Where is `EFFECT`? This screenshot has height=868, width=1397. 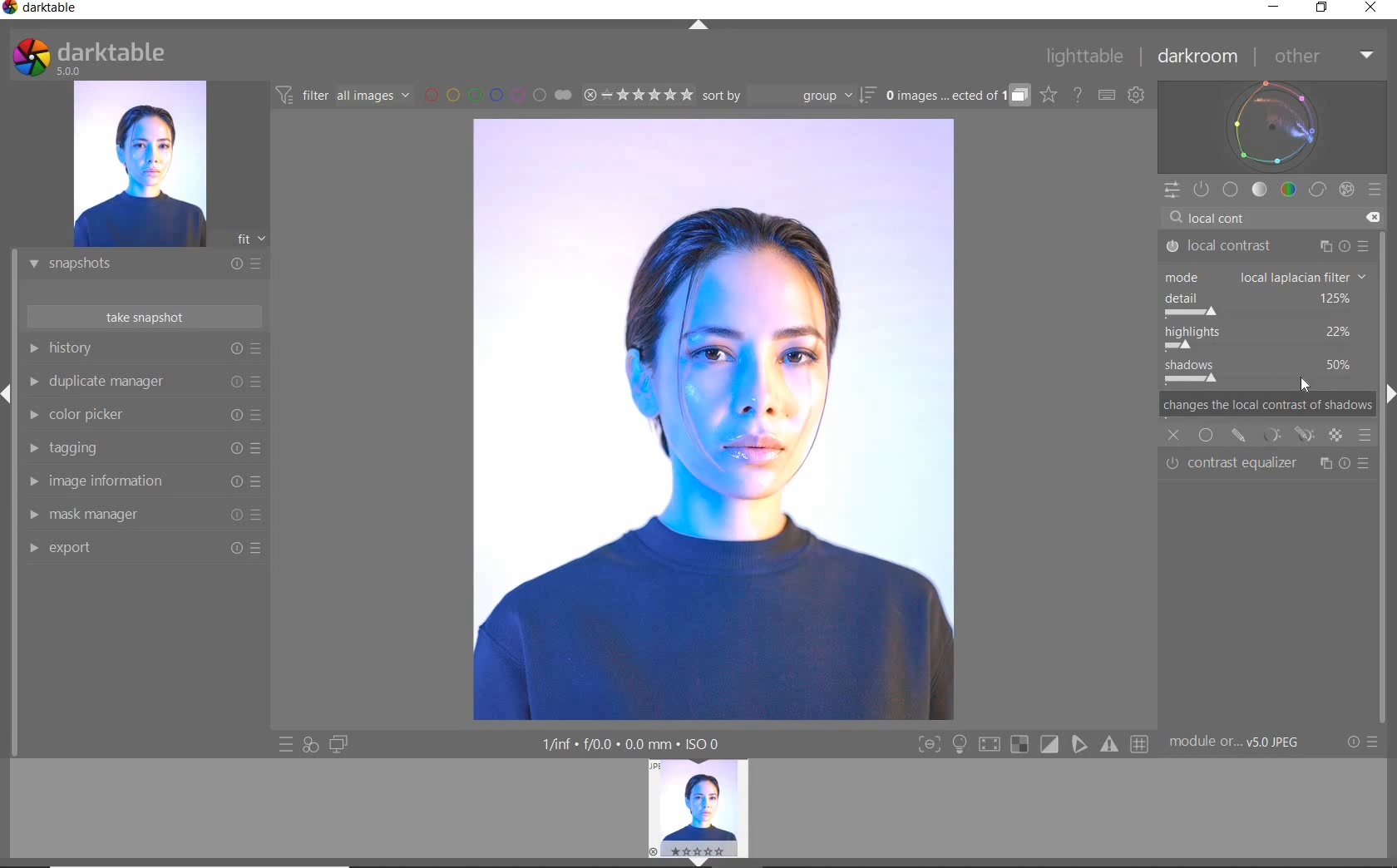
EFFECT is located at coordinates (1346, 189).